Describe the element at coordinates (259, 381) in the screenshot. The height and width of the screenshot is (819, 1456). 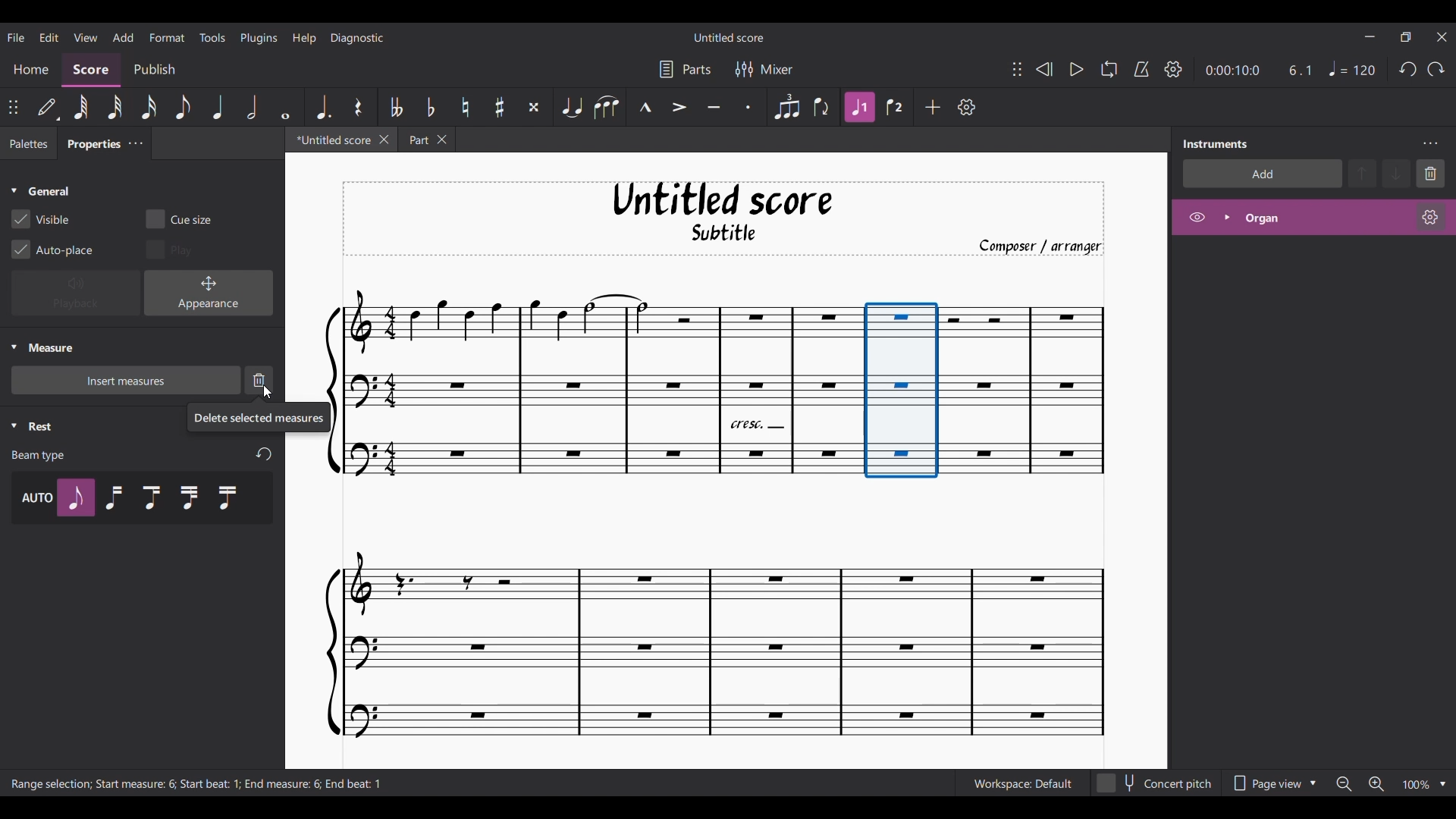
I see `Delete selected measure` at that location.